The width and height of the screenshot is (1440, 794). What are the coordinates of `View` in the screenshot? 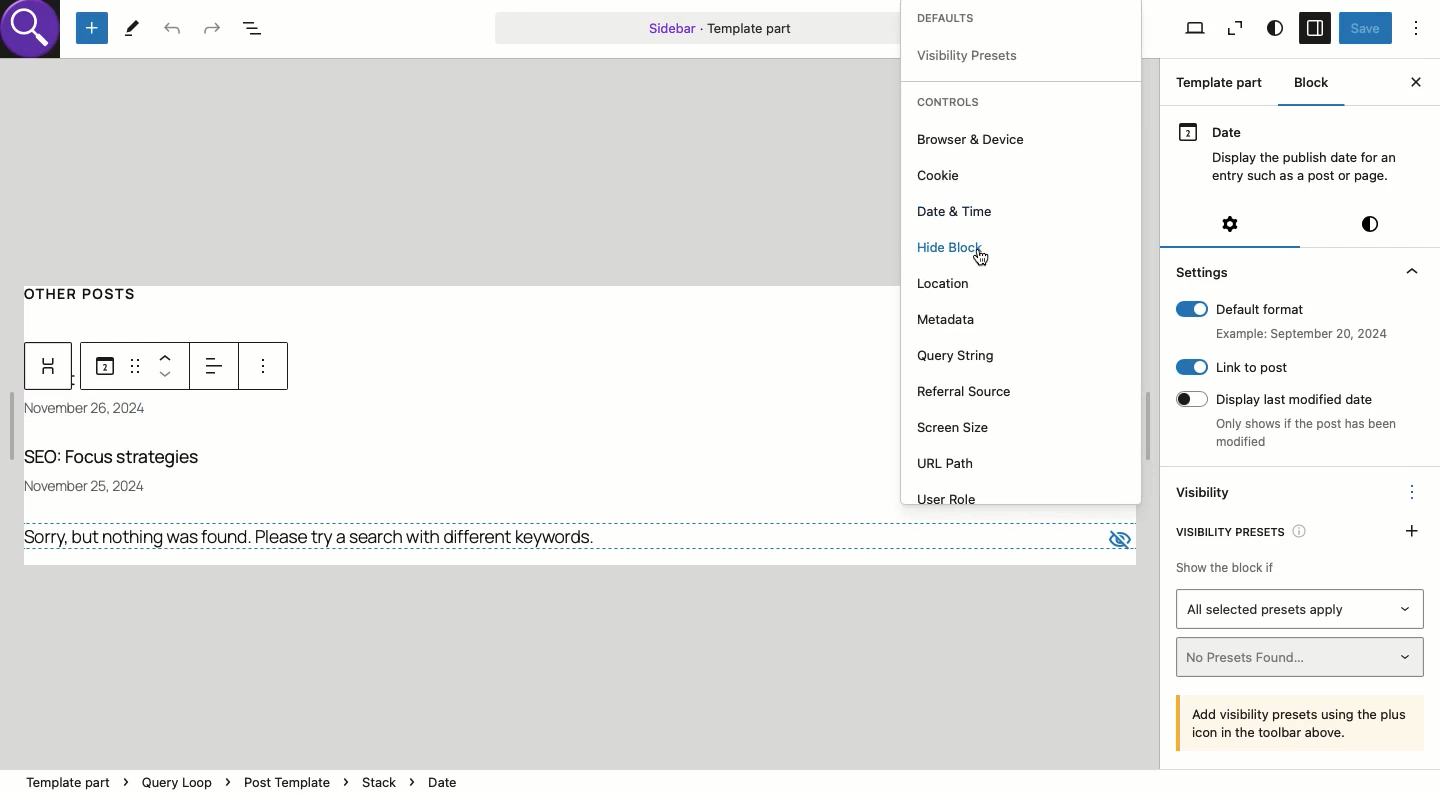 It's located at (1194, 29).